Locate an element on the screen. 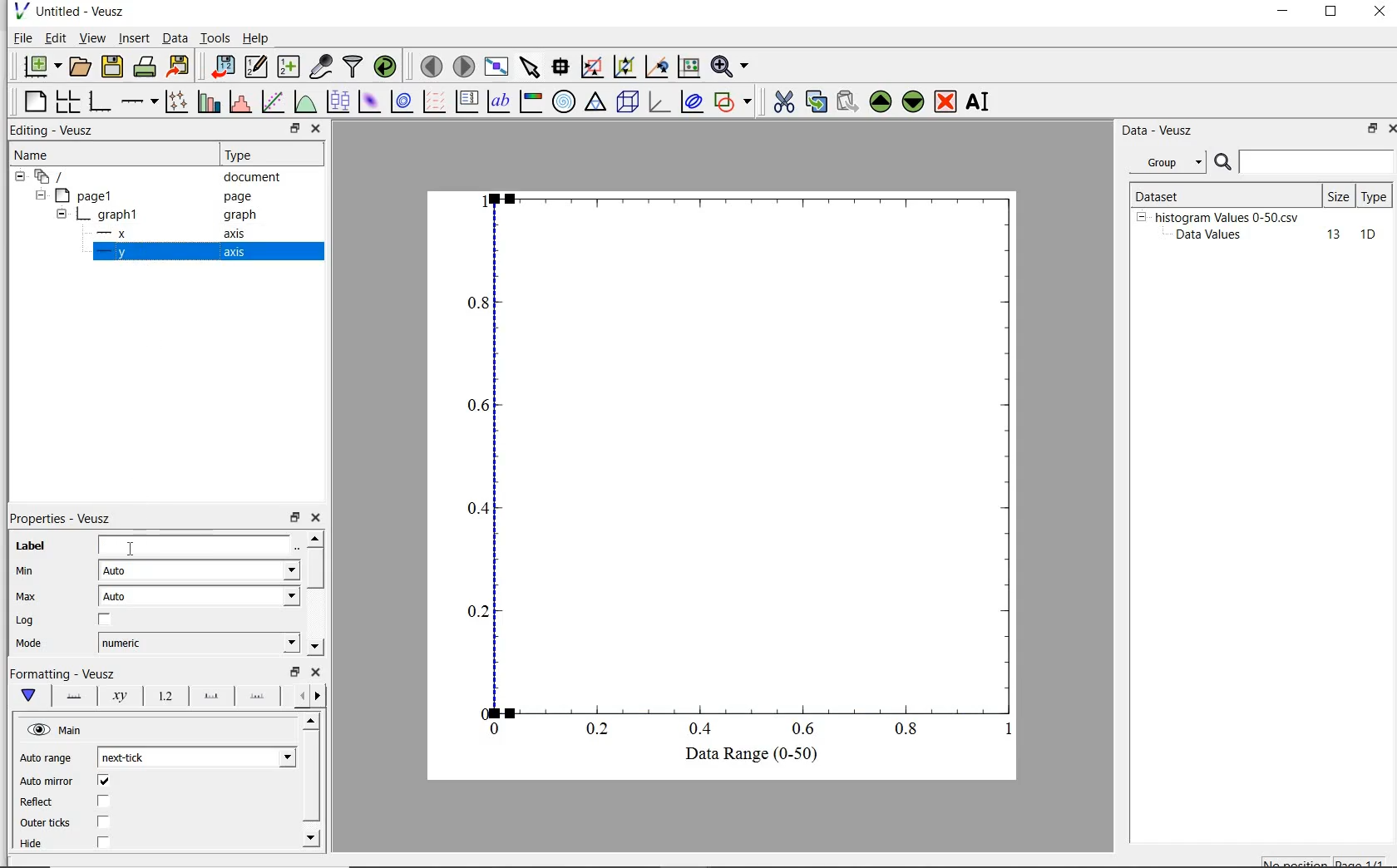  search for dataset names is located at coordinates (1317, 162).